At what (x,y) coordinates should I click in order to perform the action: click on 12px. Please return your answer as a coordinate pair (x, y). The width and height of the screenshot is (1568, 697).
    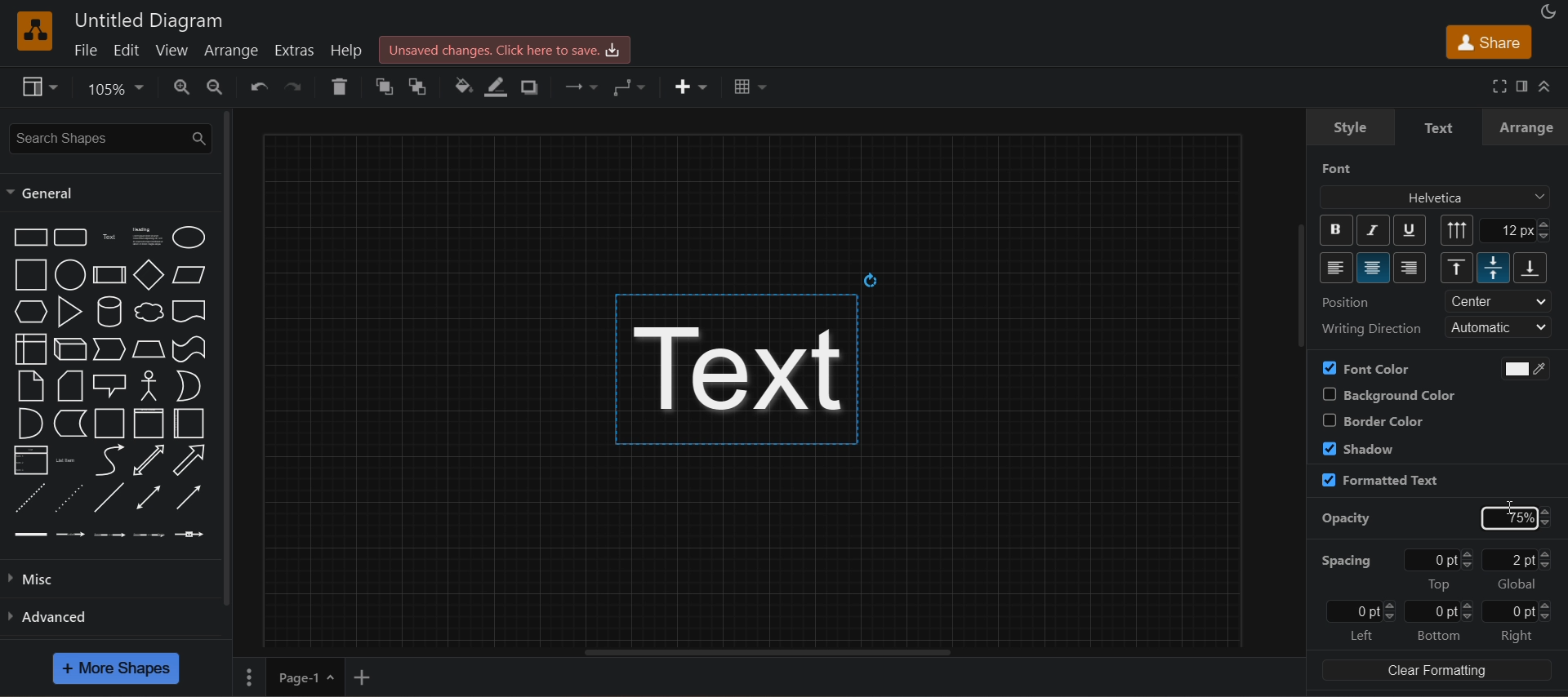
    Looking at the image, I should click on (1517, 230).